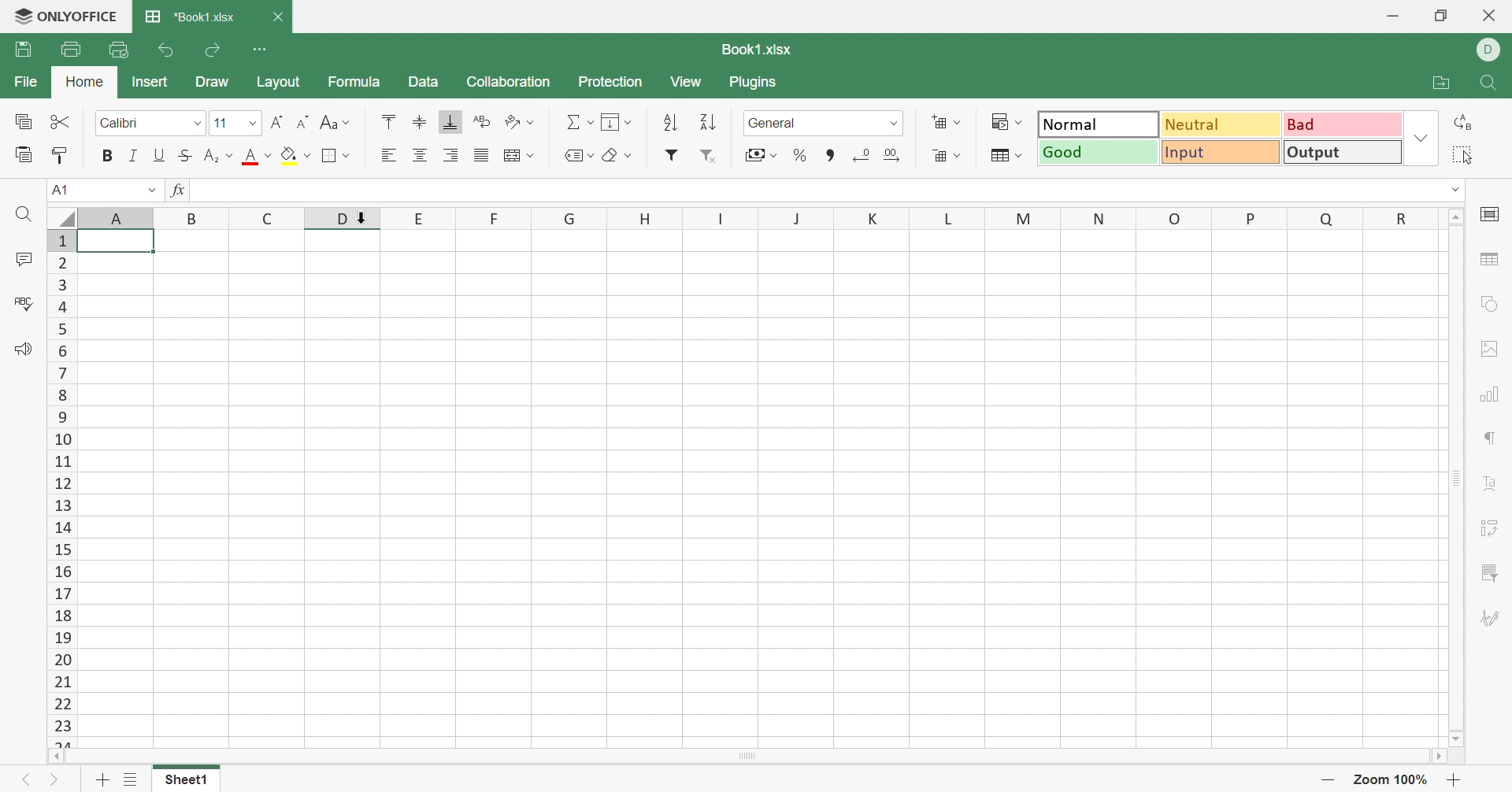  I want to click on Align Bottom, so click(453, 124).